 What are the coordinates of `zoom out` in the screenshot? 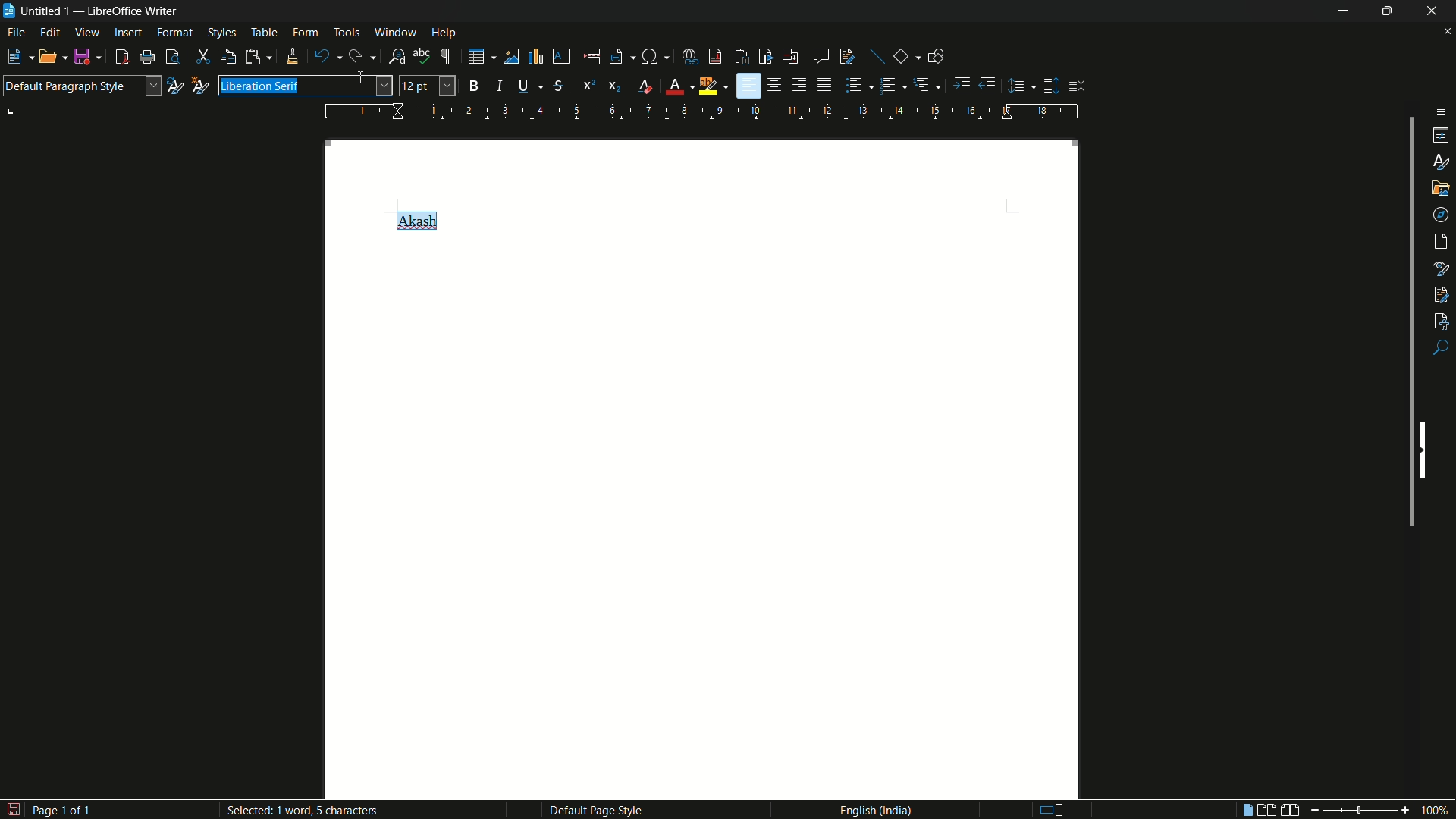 It's located at (1311, 810).